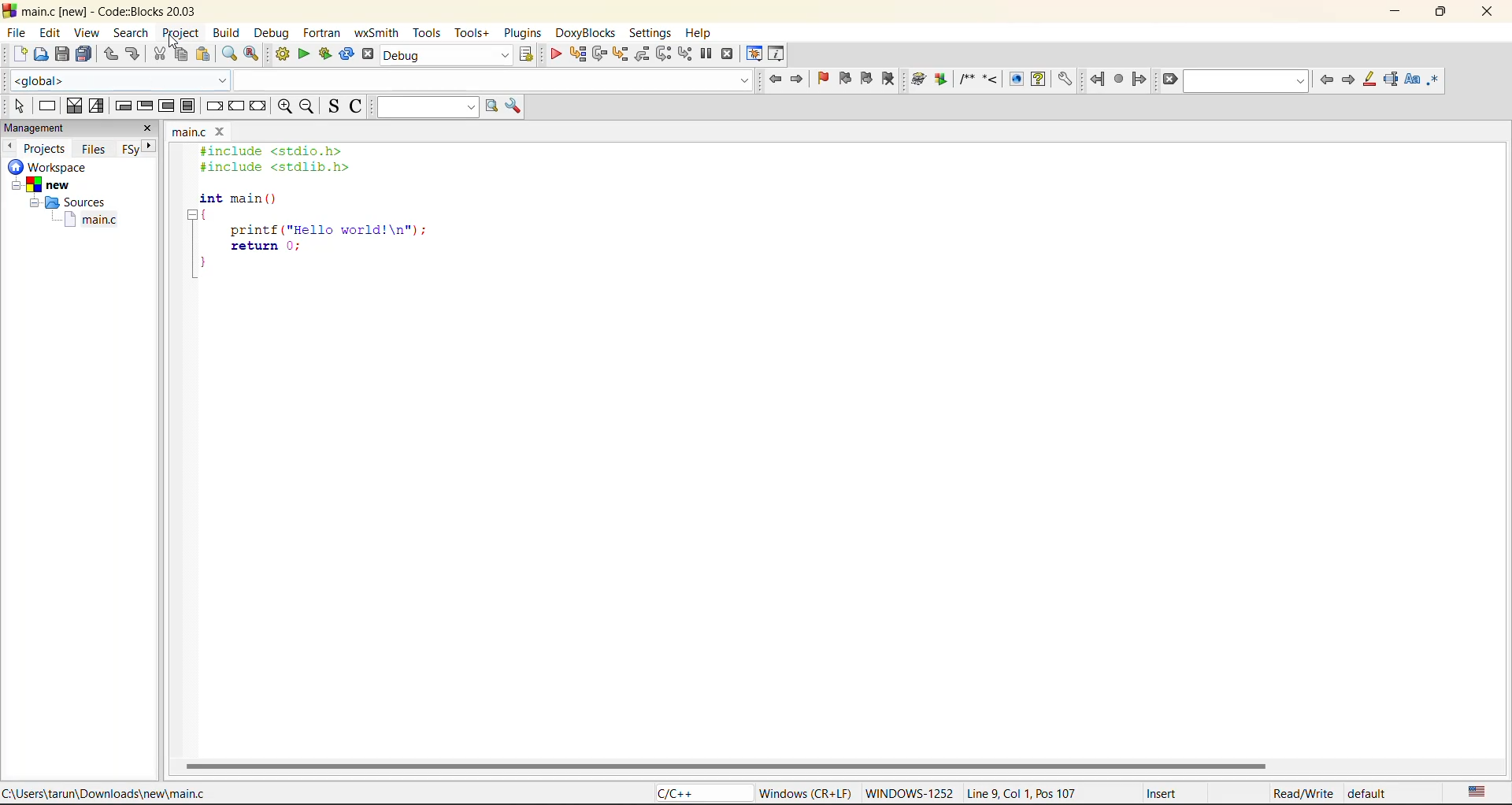 This screenshot has width=1512, height=805. I want to click on <global>, so click(118, 80).